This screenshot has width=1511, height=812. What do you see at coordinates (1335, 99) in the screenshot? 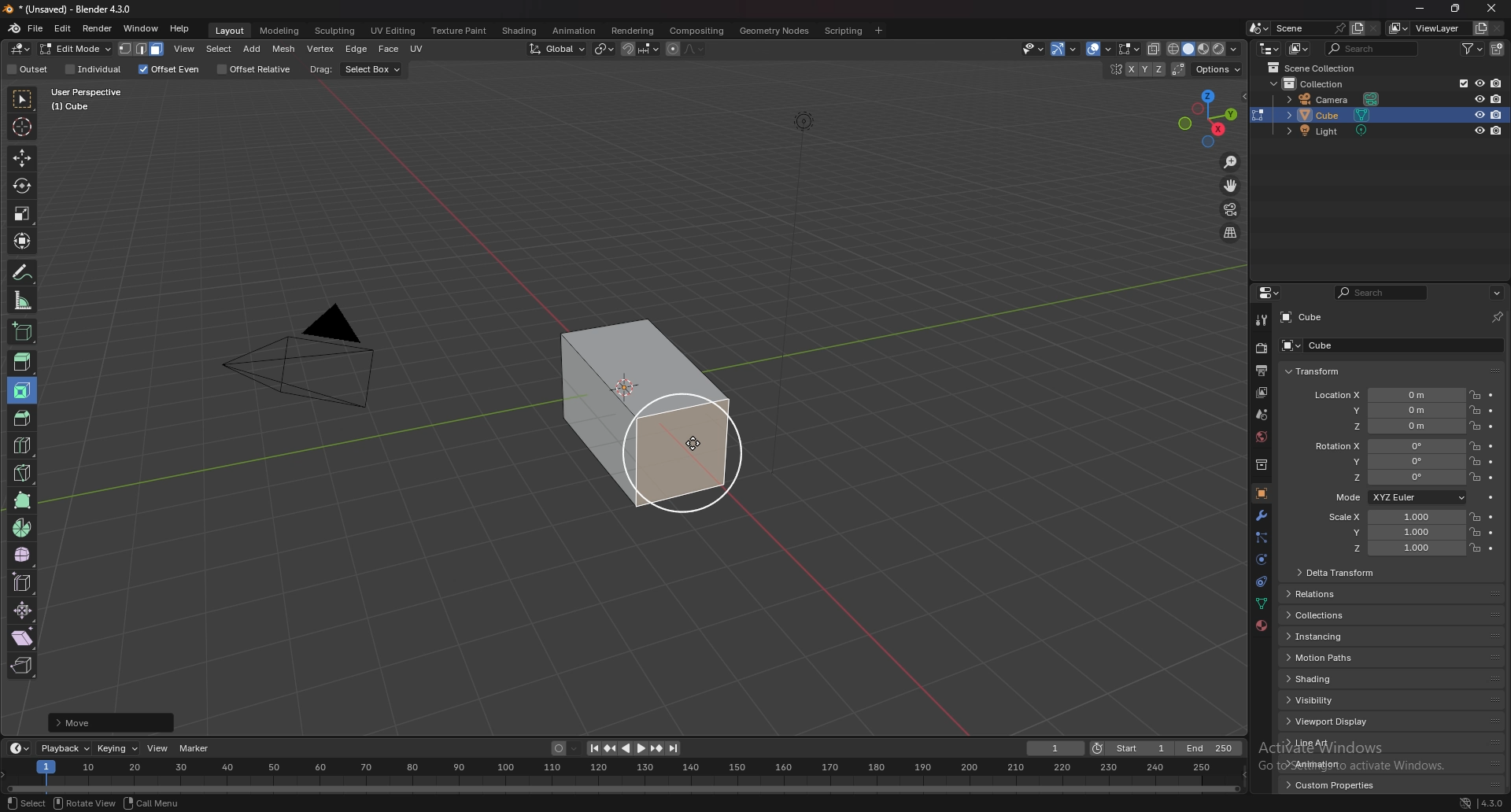
I see `camera` at bounding box center [1335, 99].